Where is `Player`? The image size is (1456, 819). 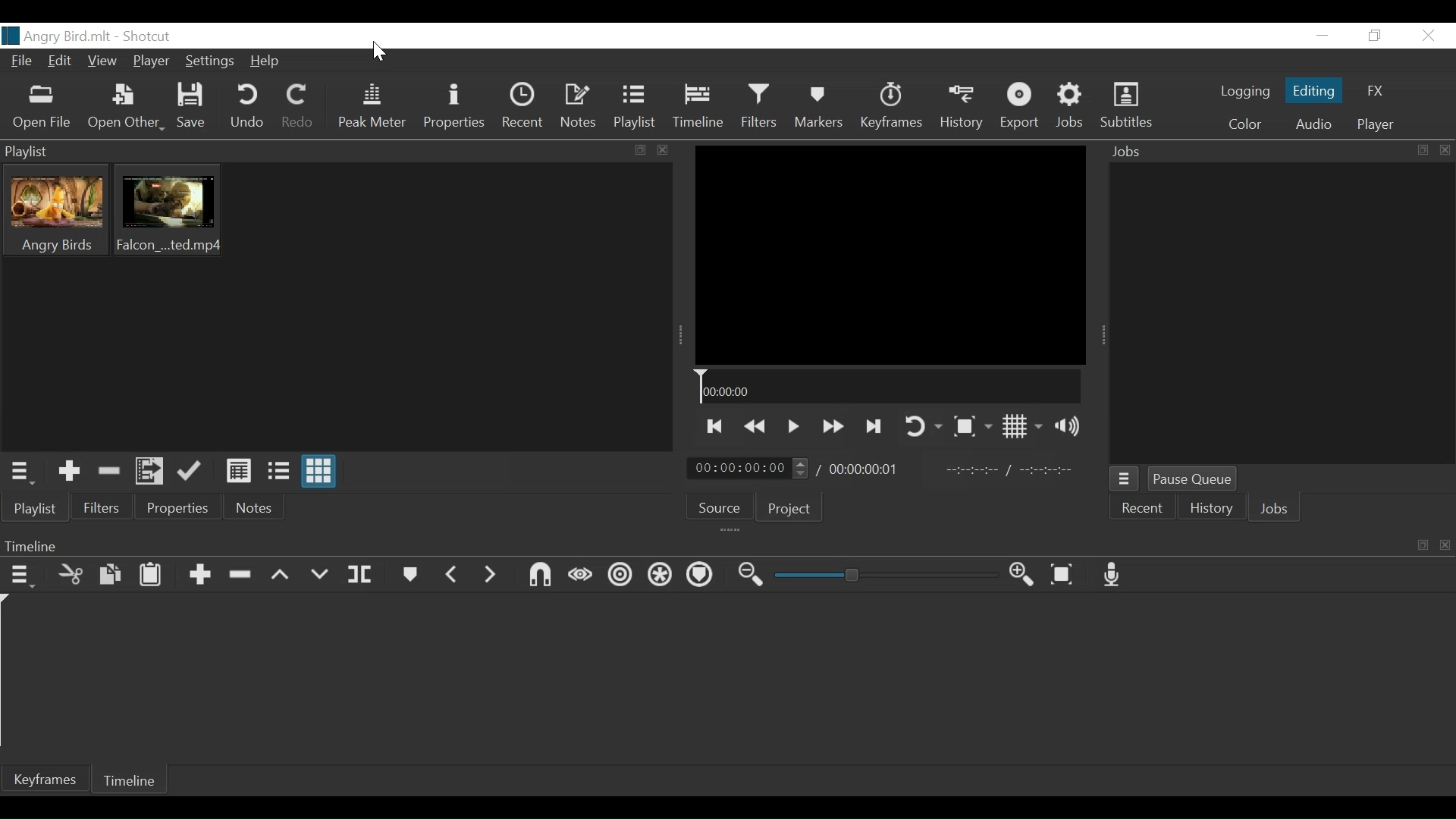
Player is located at coordinates (149, 63).